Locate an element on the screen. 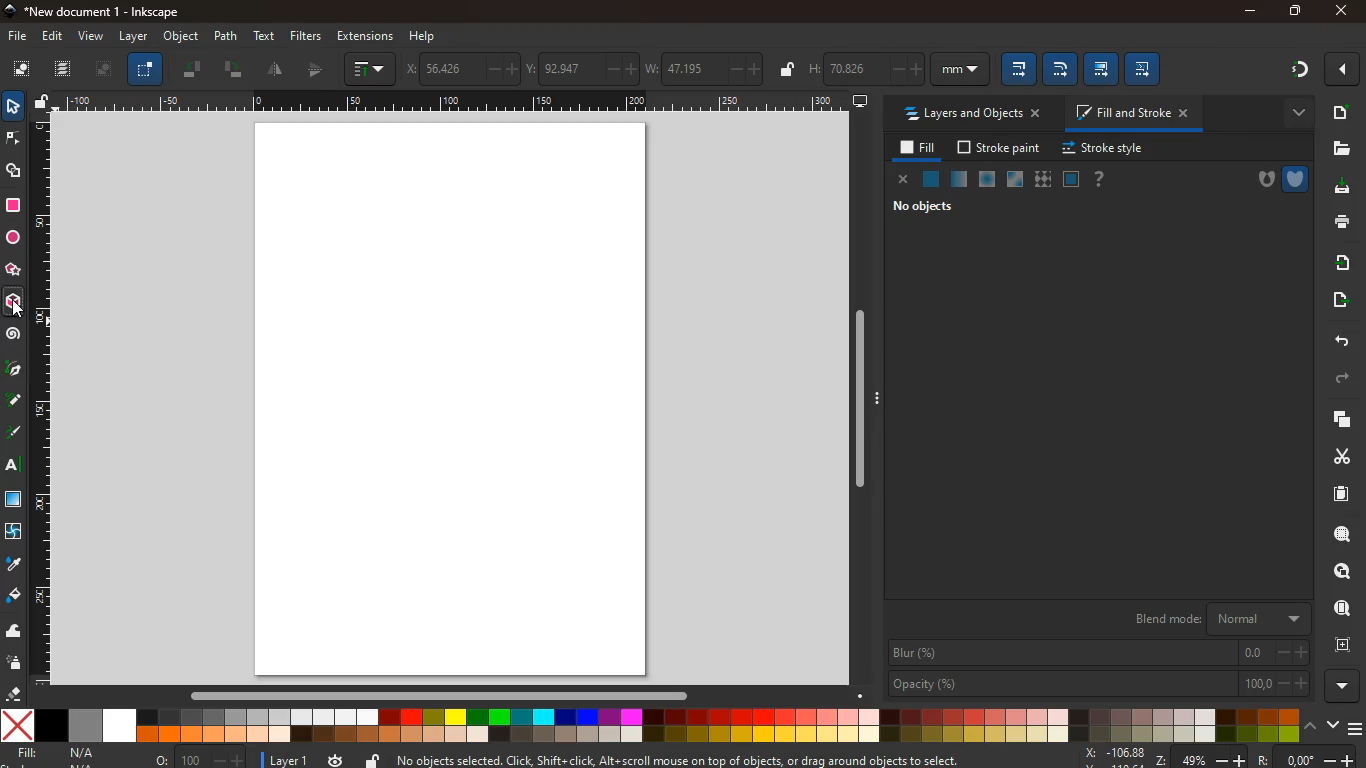  unlock is located at coordinates (372, 758).